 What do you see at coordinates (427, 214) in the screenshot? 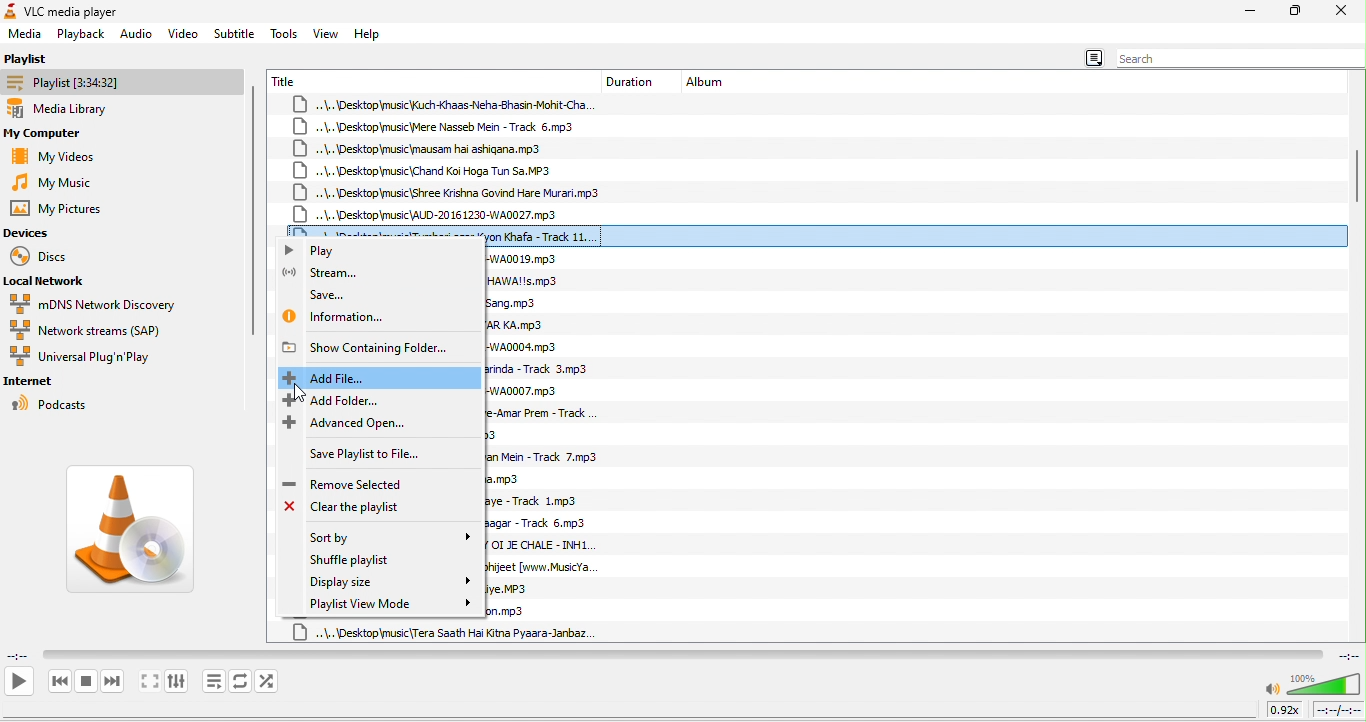
I see `\..\Desktop\music\AUD-20161230-WA0027.mp3` at bounding box center [427, 214].